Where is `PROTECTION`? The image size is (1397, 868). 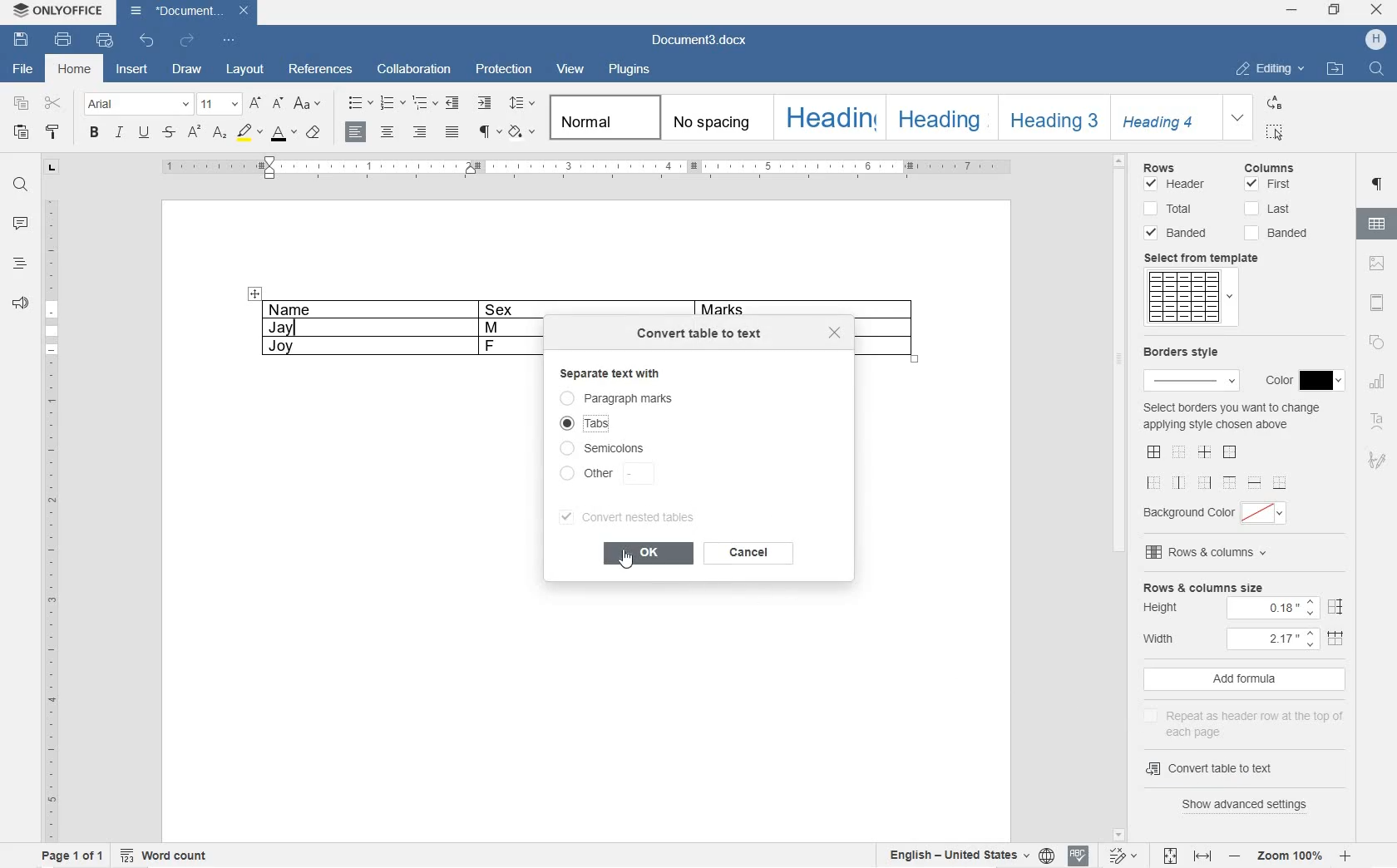
PROTECTION is located at coordinates (505, 72).